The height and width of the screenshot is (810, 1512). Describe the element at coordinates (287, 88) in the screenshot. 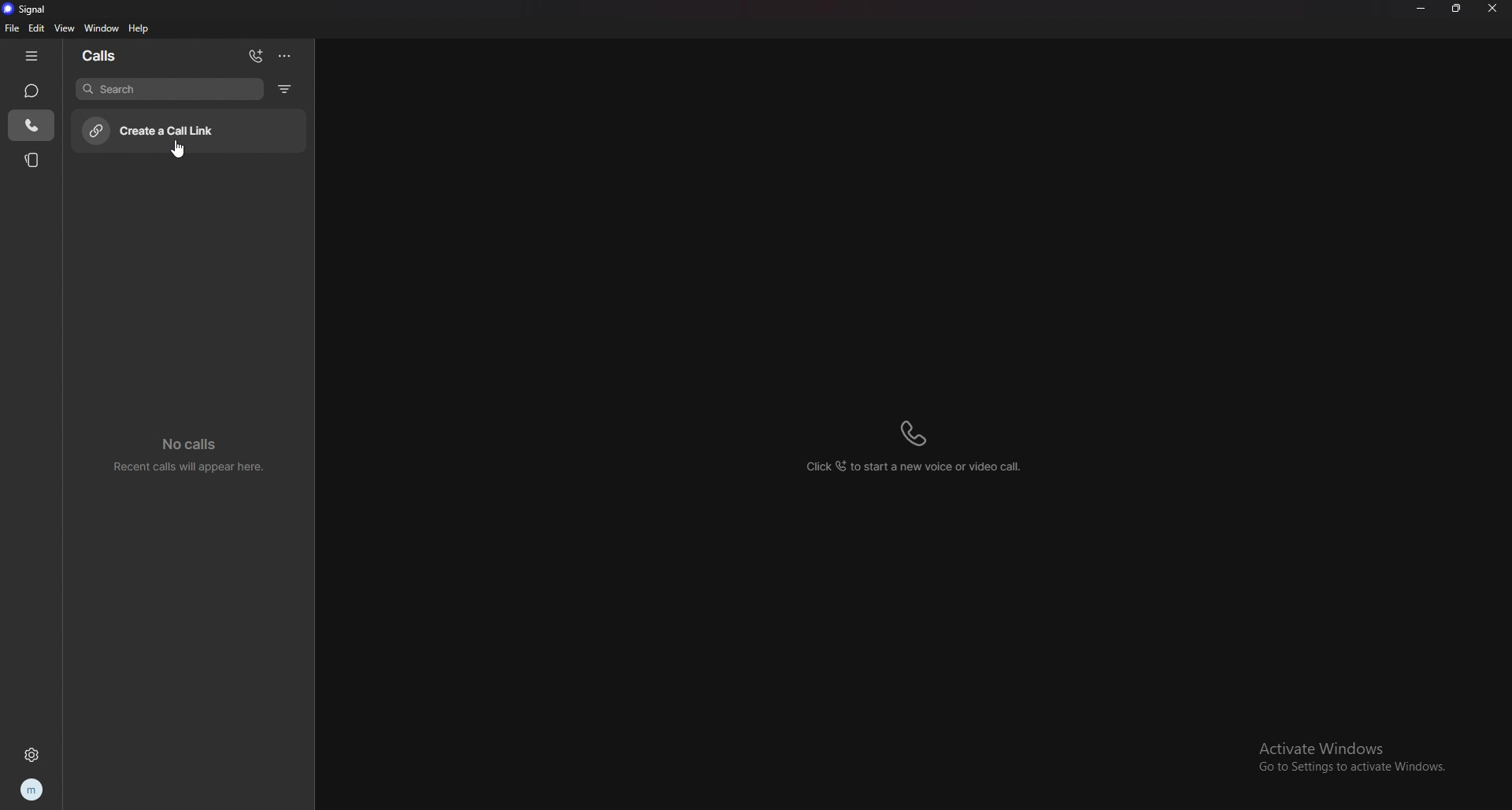

I see `filter` at that location.